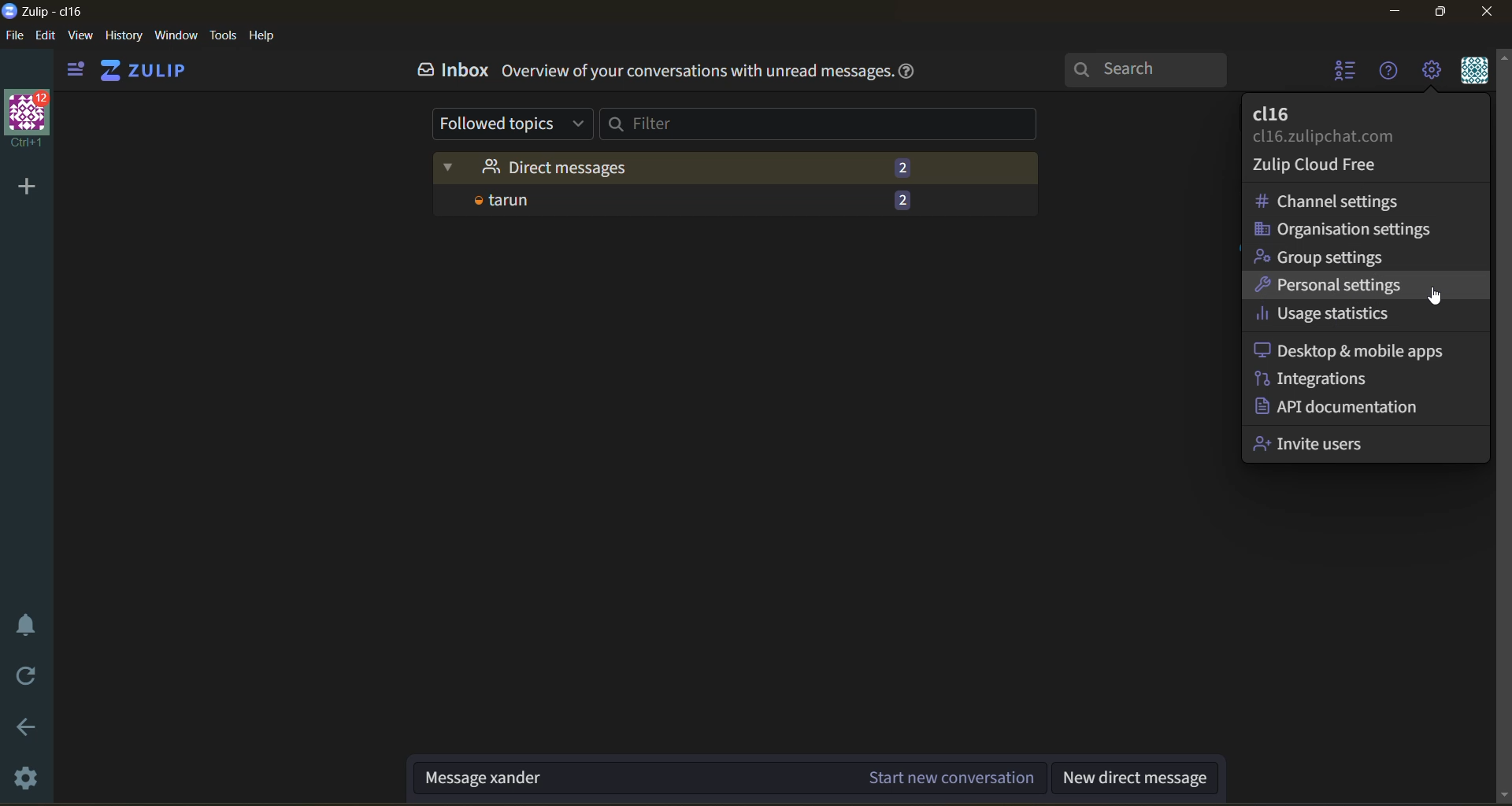  I want to click on help, so click(910, 72).